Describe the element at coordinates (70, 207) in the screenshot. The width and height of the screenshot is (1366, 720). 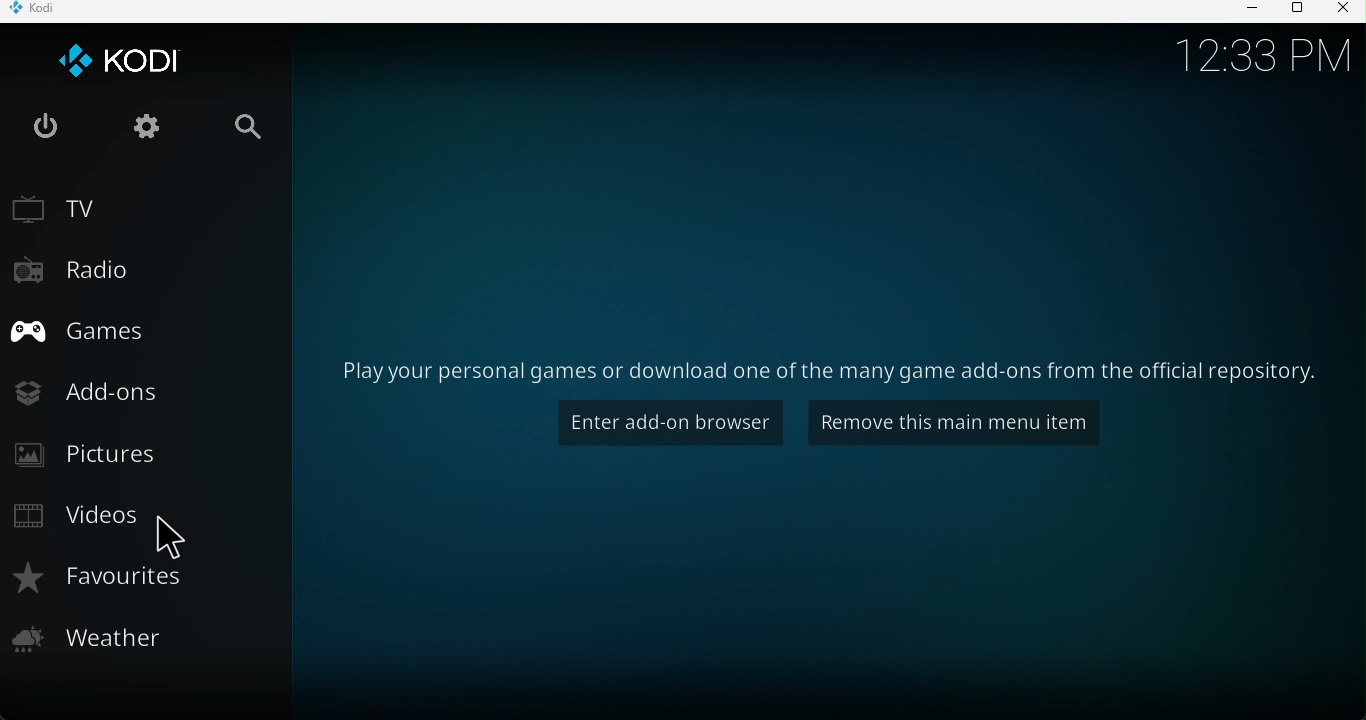
I see `TV` at that location.